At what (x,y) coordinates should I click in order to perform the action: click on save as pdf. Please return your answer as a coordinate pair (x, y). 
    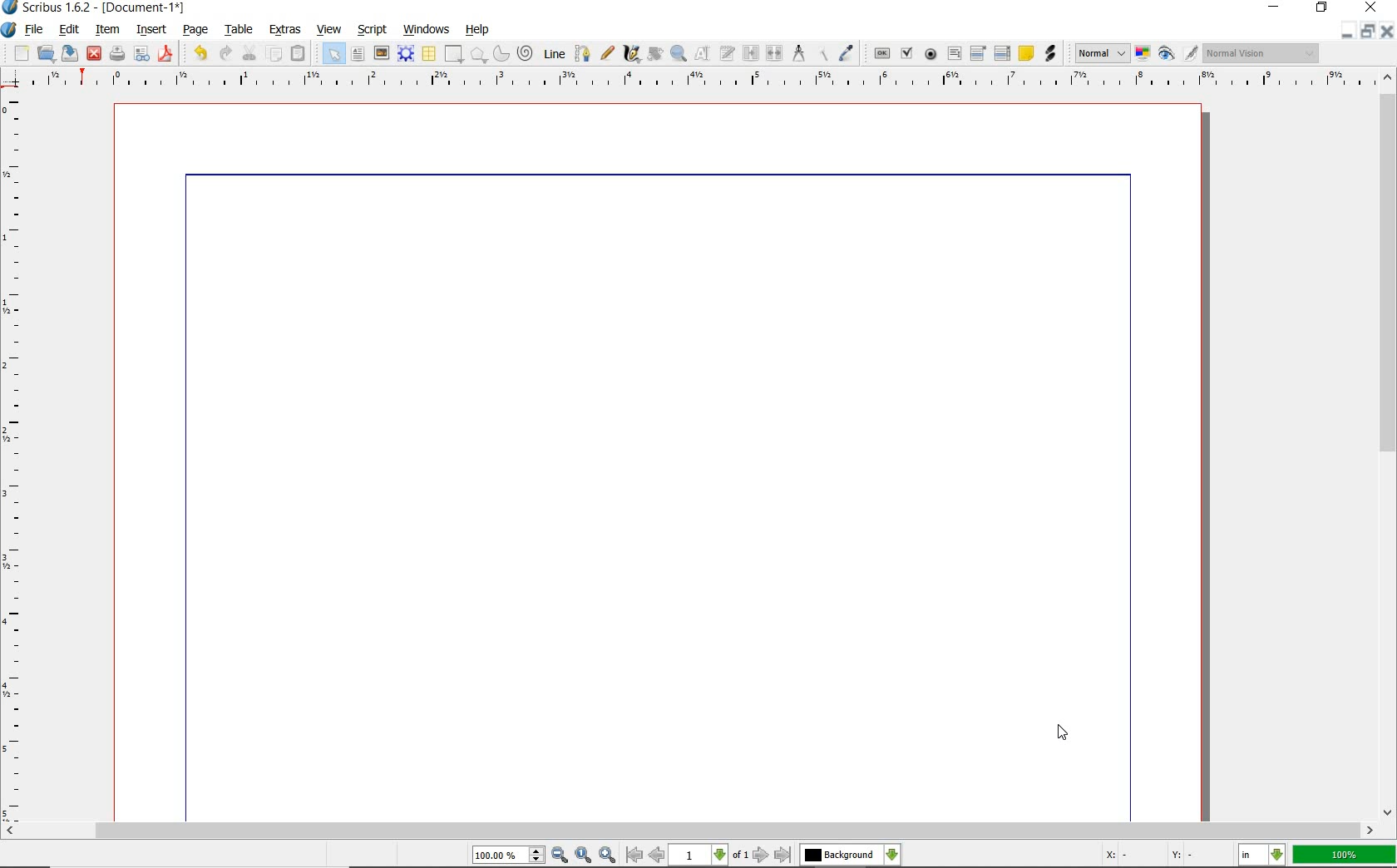
    Looking at the image, I should click on (165, 56).